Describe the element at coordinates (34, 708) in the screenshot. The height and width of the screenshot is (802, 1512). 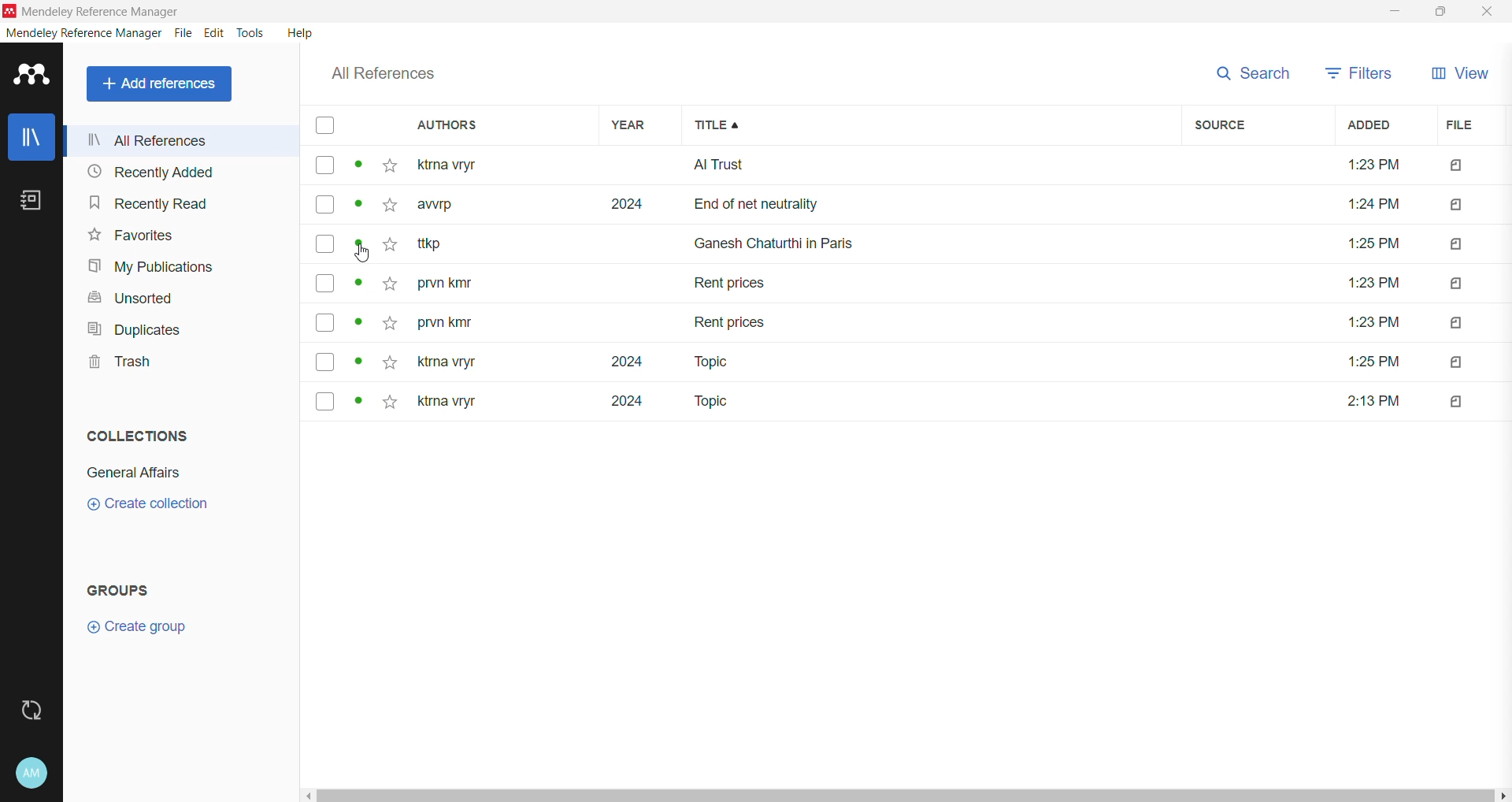
I see `Last Sync` at that location.